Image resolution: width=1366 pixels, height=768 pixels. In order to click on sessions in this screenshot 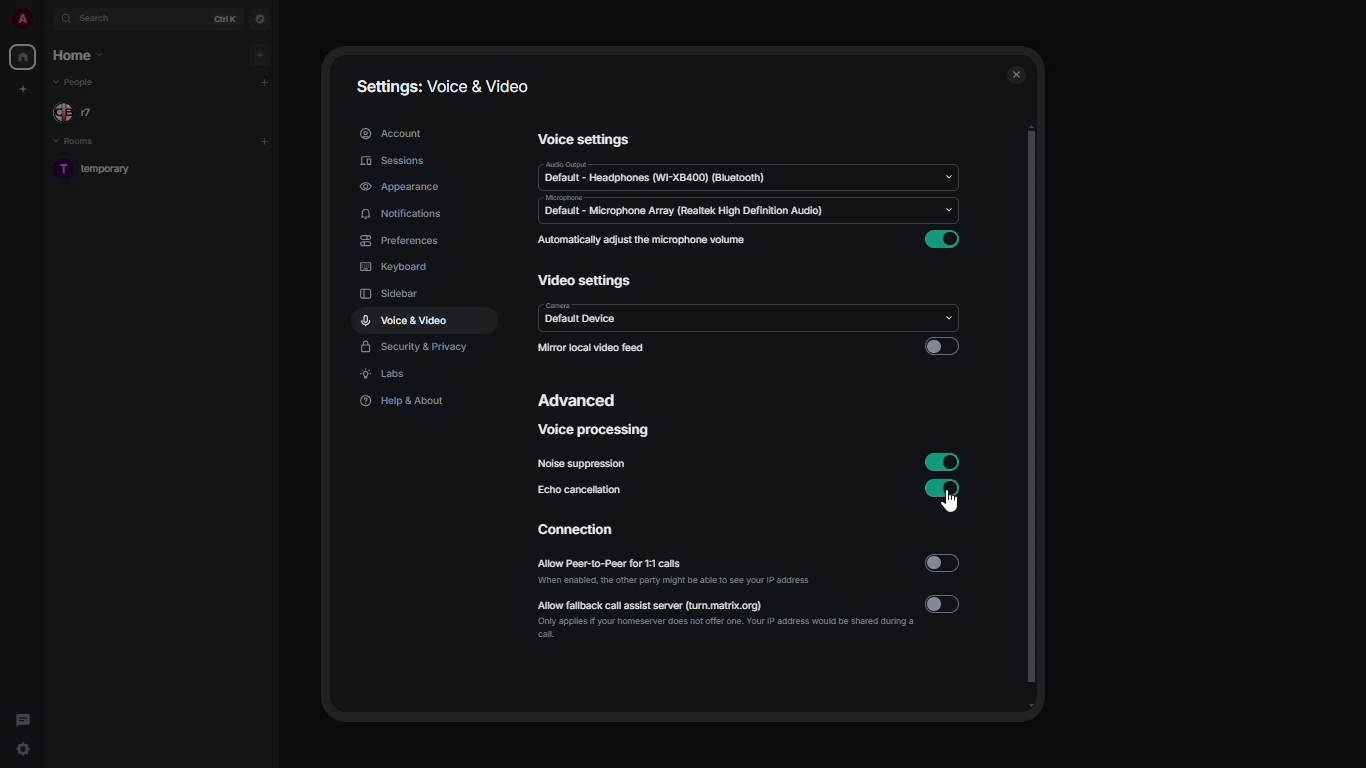, I will do `click(394, 161)`.